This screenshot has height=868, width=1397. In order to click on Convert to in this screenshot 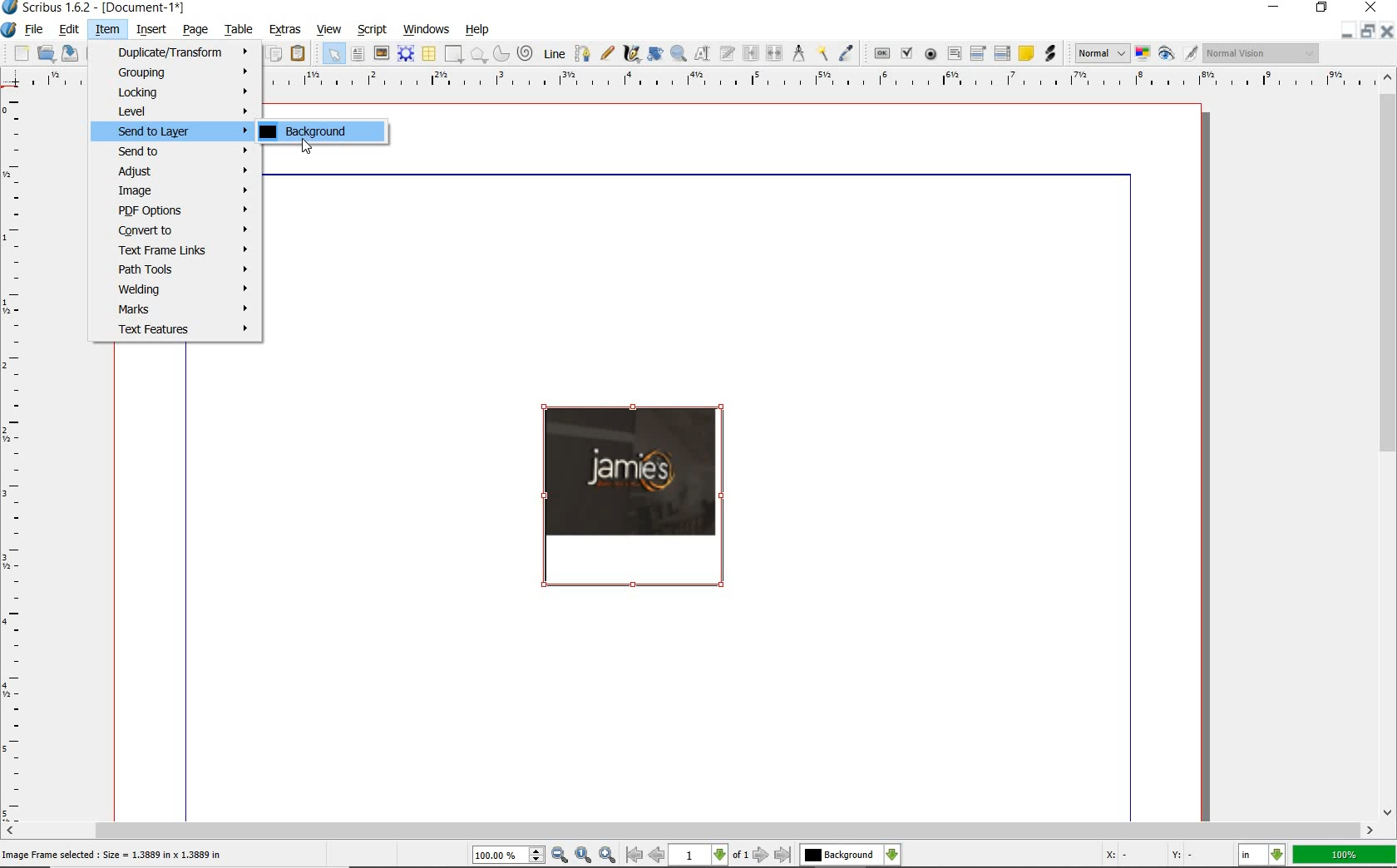, I will do `click(177, 229)`.